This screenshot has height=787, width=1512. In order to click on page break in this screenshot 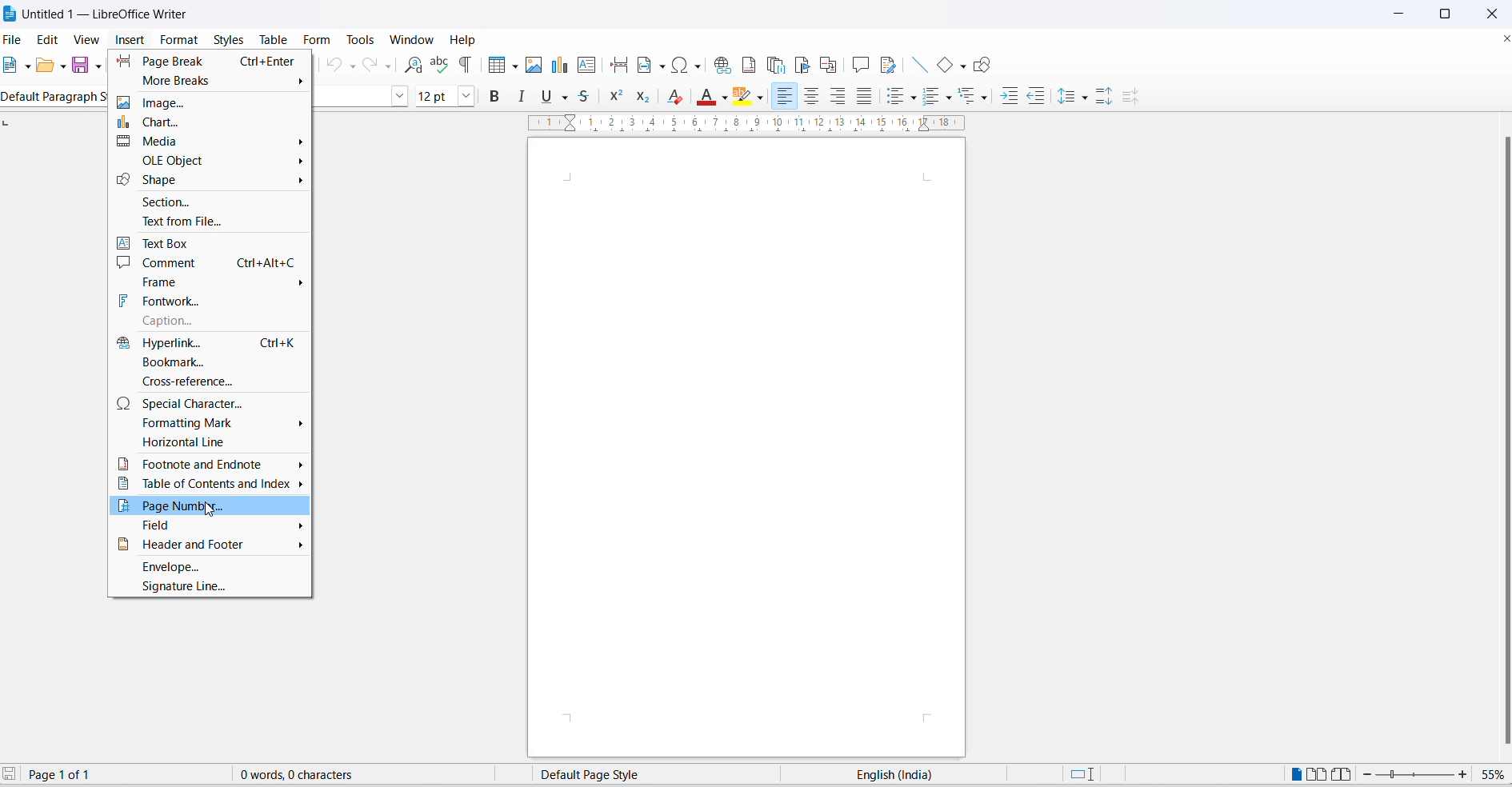, I will do `click(618, 66)`.